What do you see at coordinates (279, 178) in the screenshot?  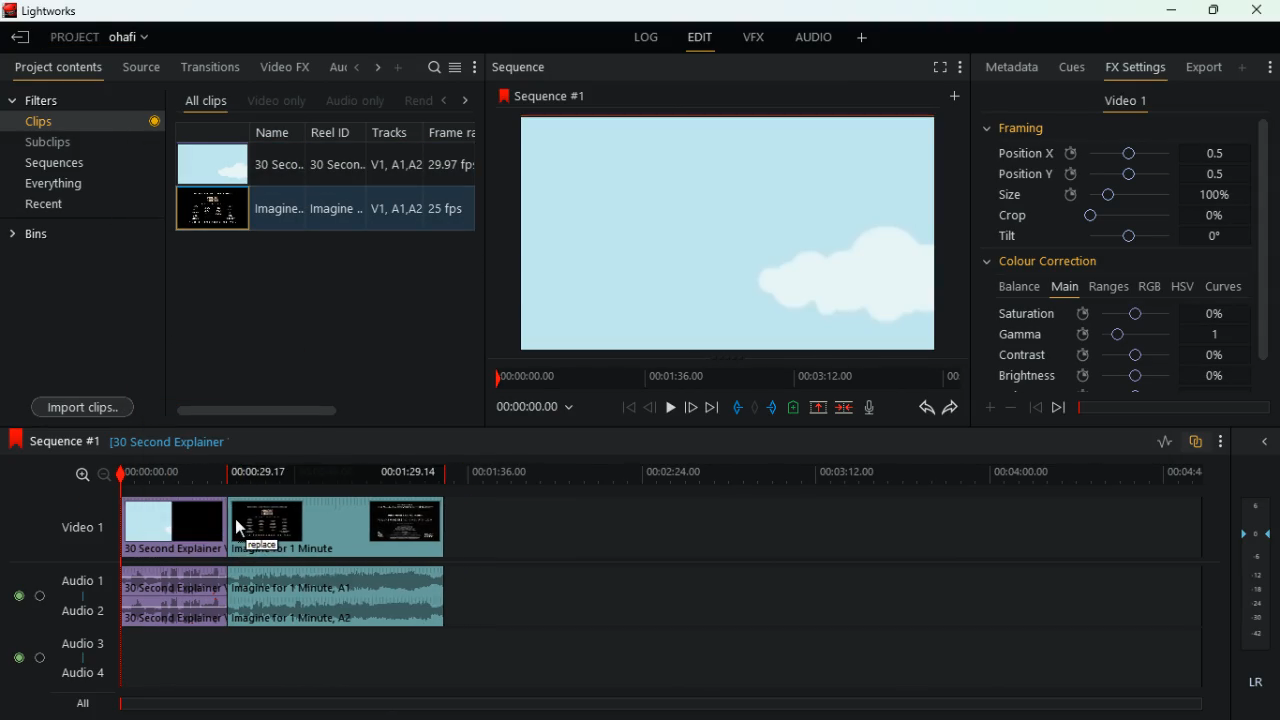 I see `name` at bounding box center [279, 178].